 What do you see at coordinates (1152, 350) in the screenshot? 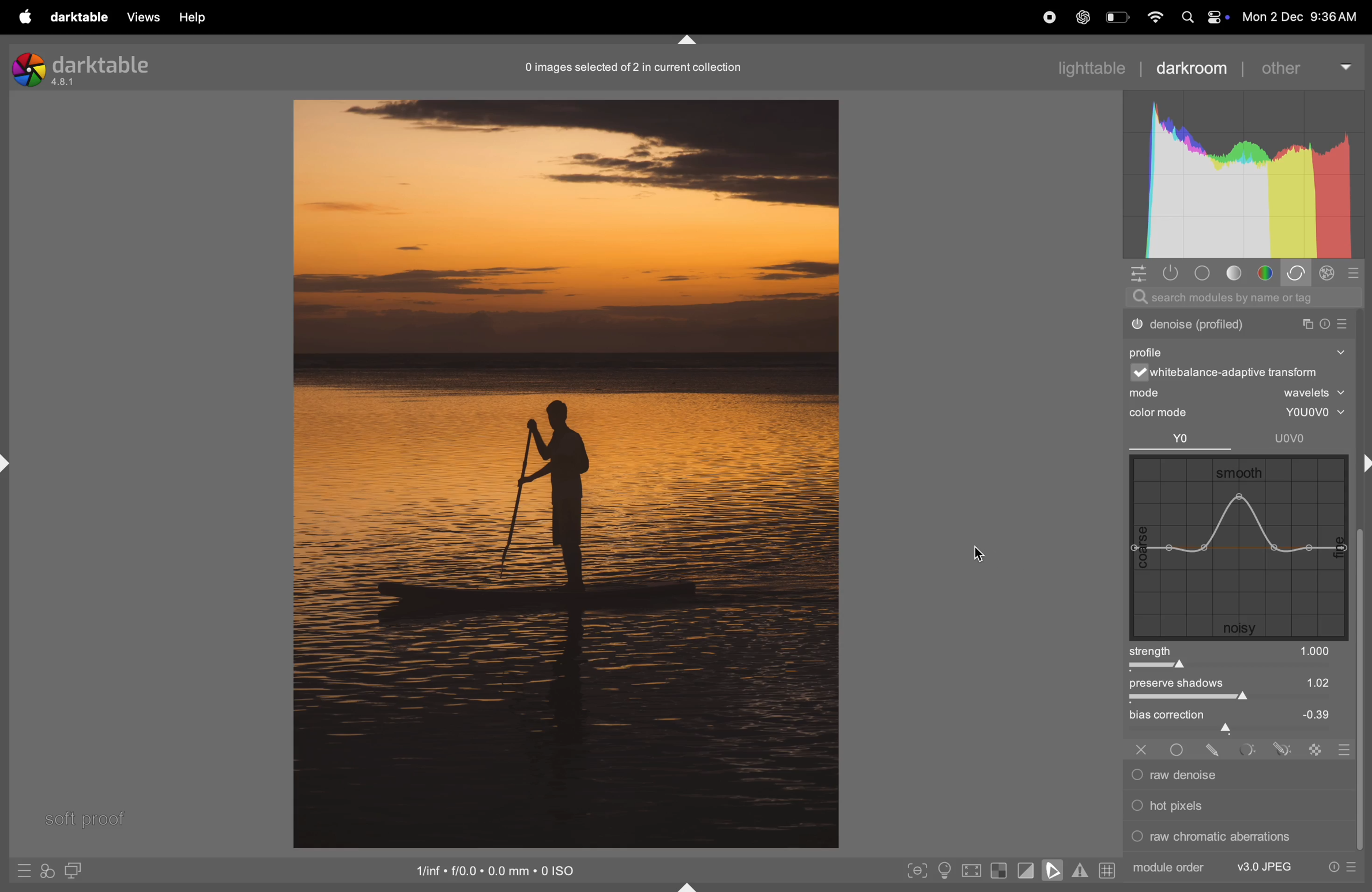
I see `profile` at bounding box center [1152, 350].